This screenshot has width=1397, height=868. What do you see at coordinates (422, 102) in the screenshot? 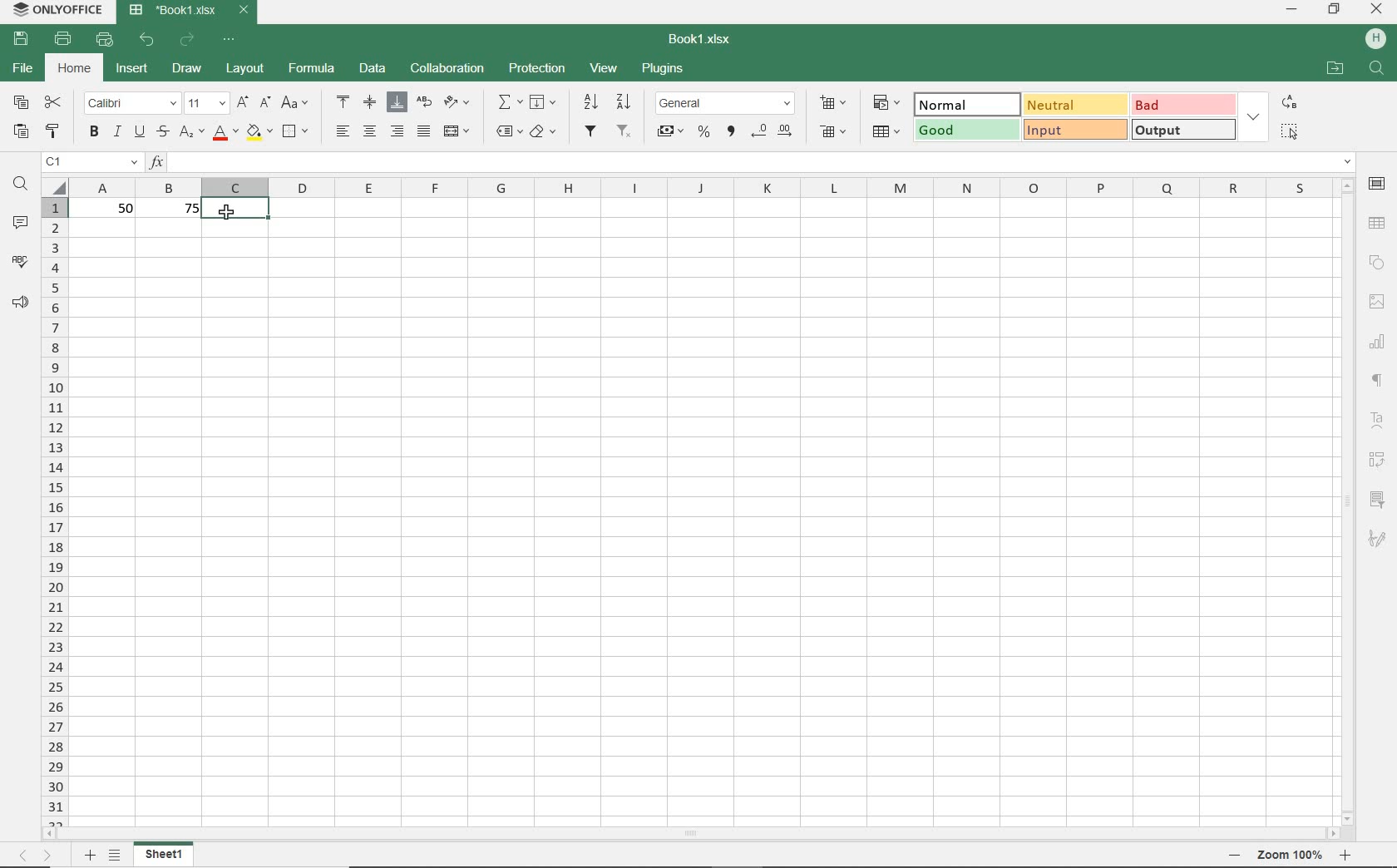
I see `wrap text` at bounding box center [422, 102].